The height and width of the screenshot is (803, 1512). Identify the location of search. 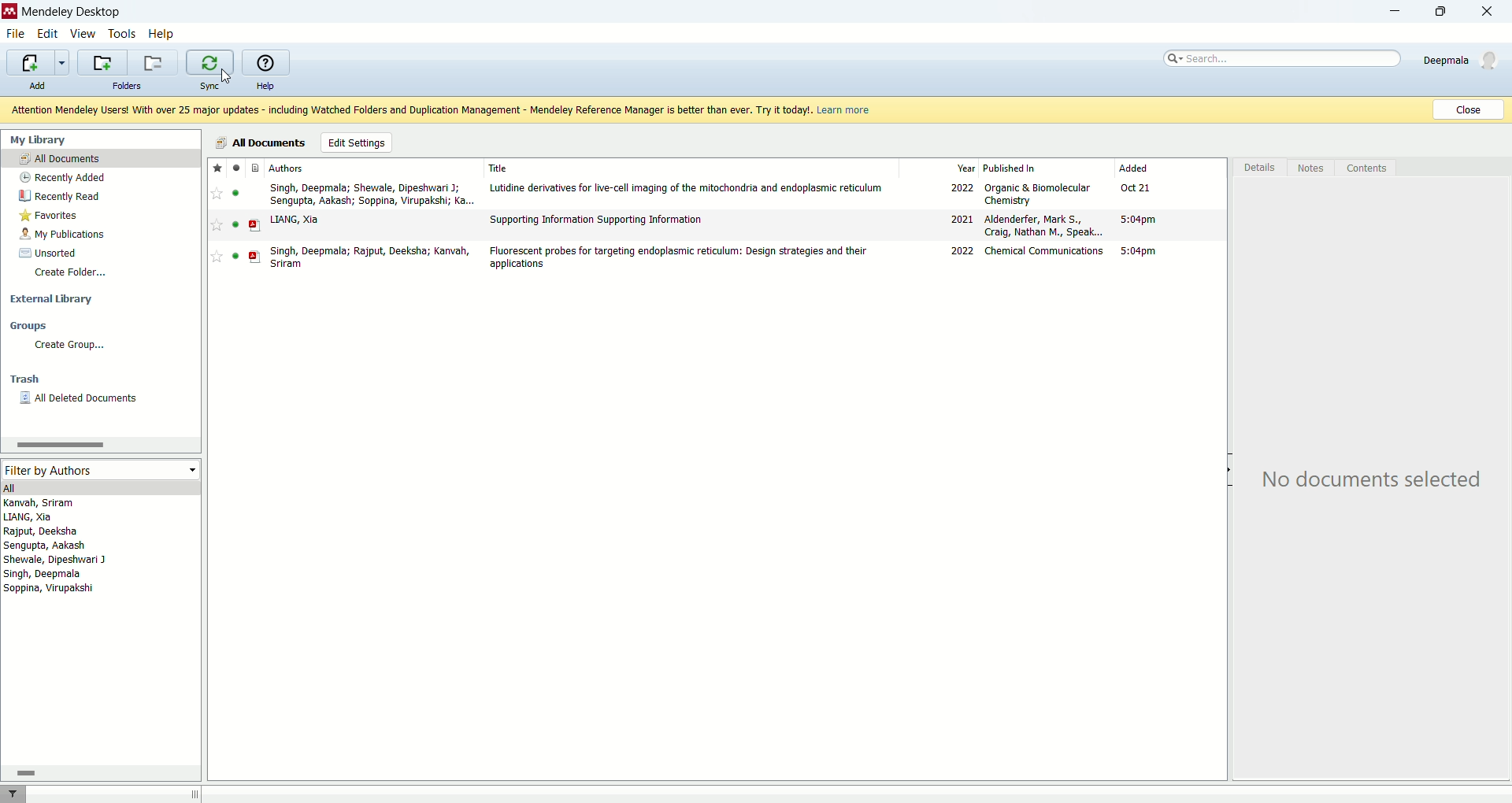
(1281, 58).